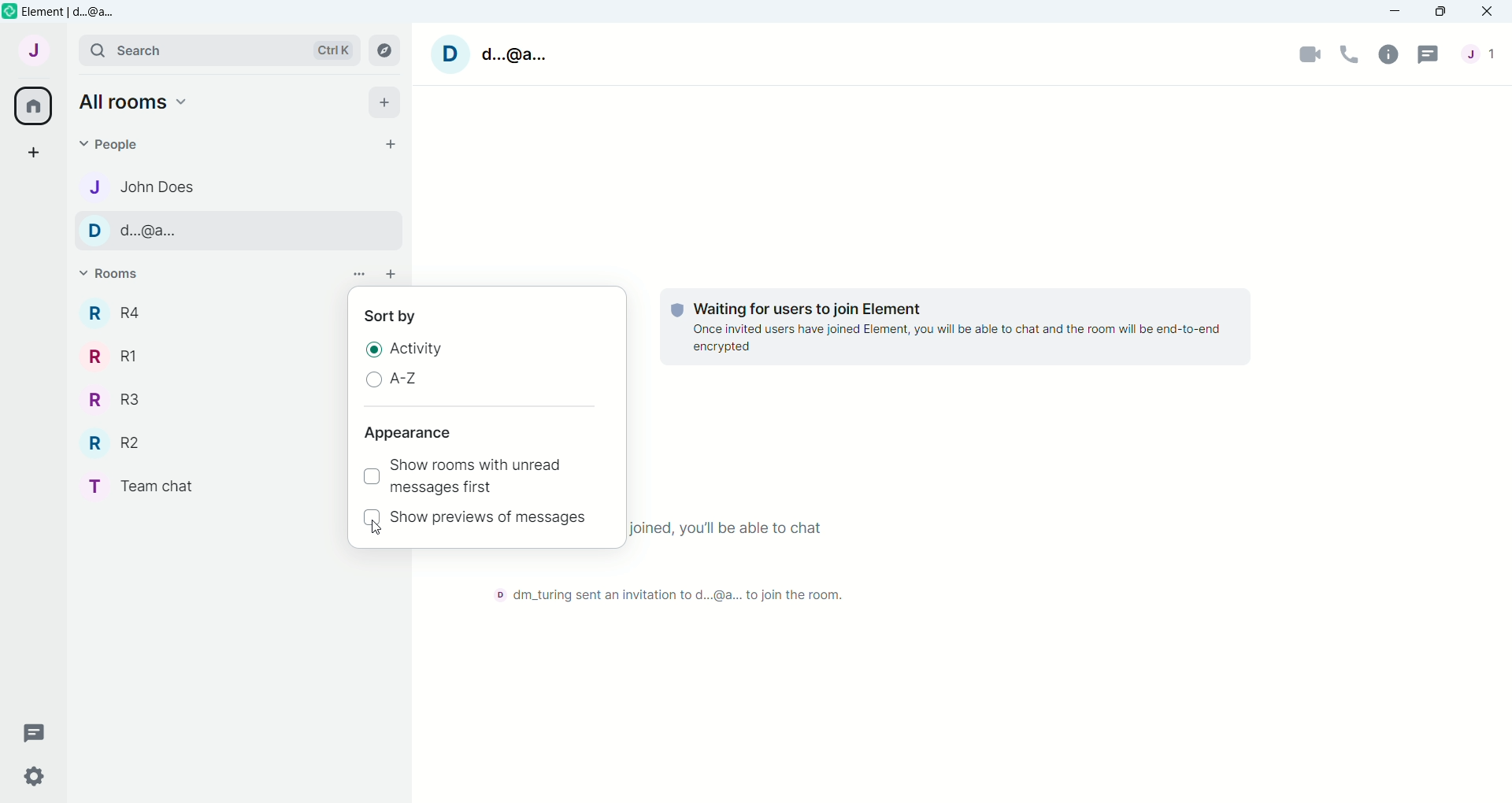 This screenshot has height=803, width=1512. Describe the element at coordinates (388, 102) in the screenshot. I see `add` at that location.